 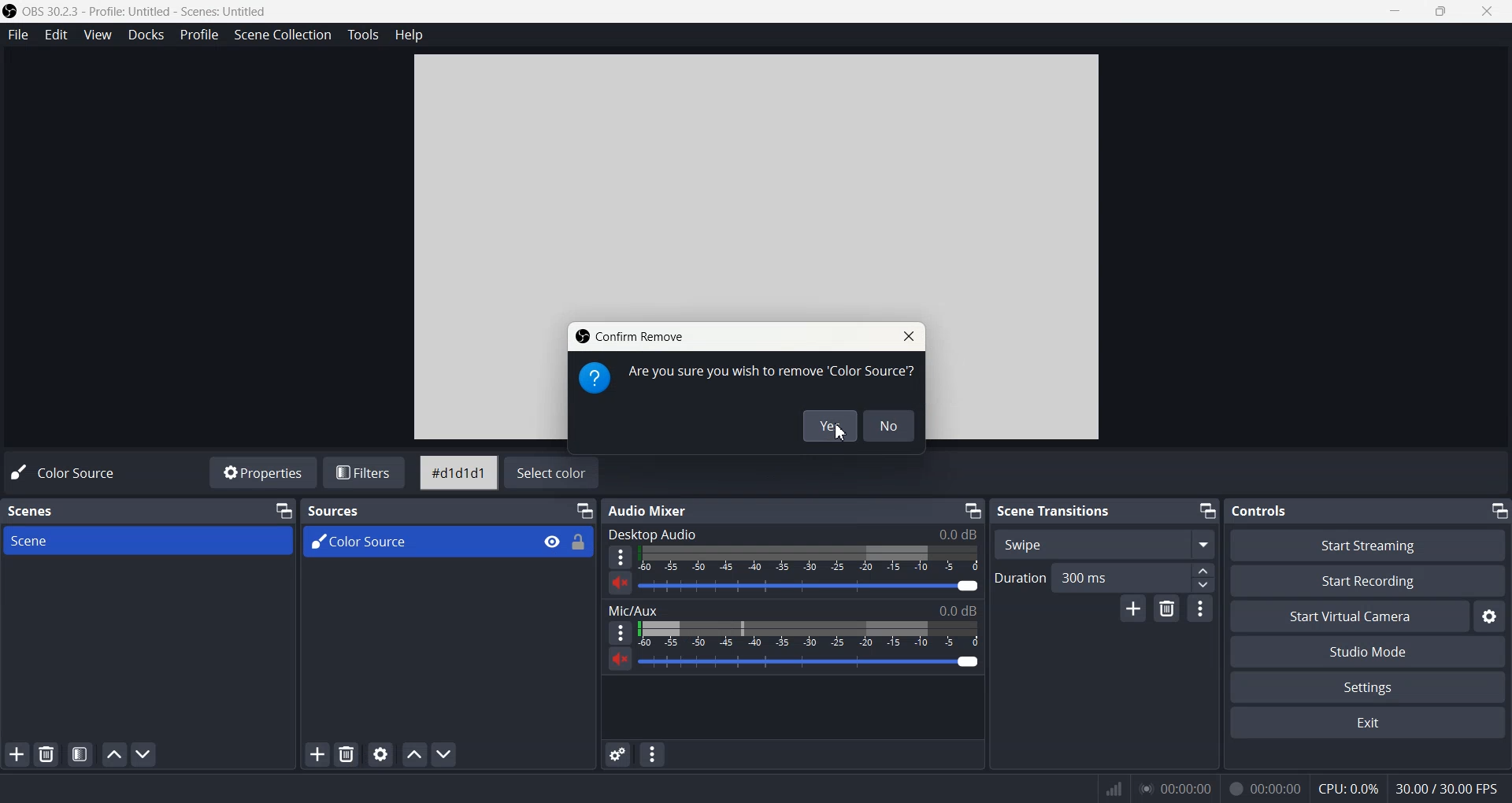 I want to click on Minimize, so click(x=1208, y=512).